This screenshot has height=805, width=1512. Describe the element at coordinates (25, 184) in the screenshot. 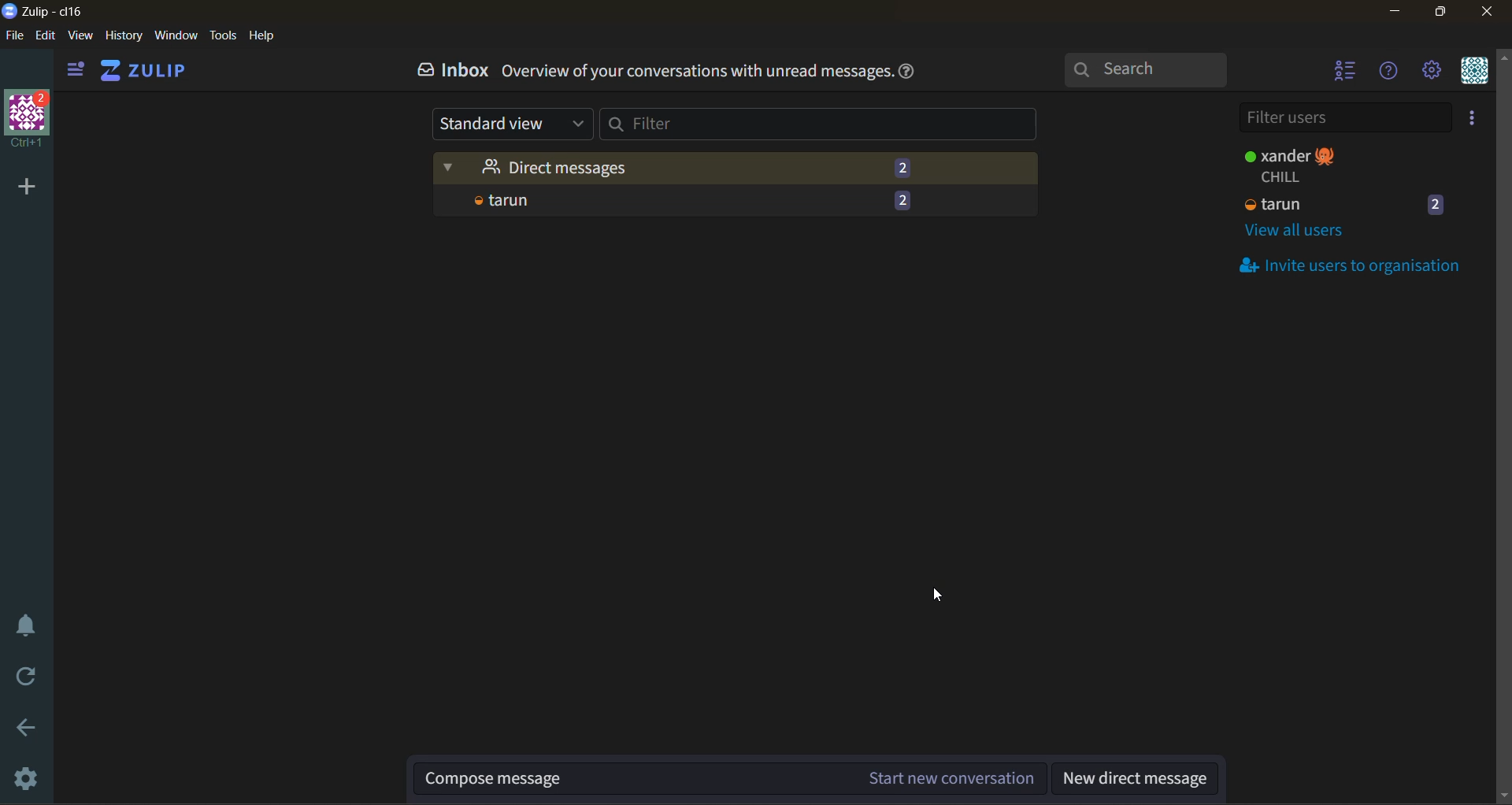

I see `add a new organisation` at that location.